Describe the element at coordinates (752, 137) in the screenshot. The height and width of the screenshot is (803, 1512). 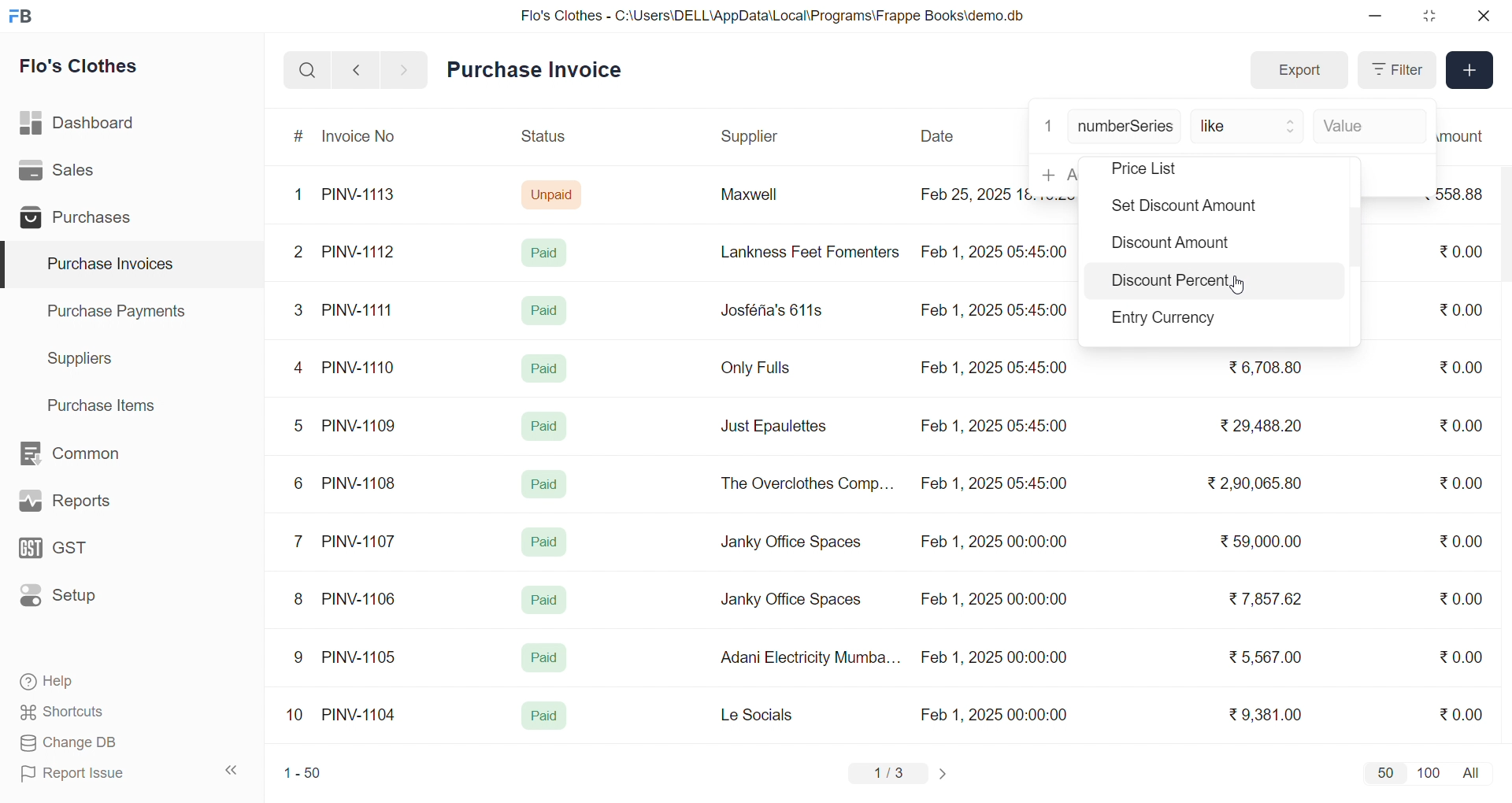
I see `Supplier` at that location.